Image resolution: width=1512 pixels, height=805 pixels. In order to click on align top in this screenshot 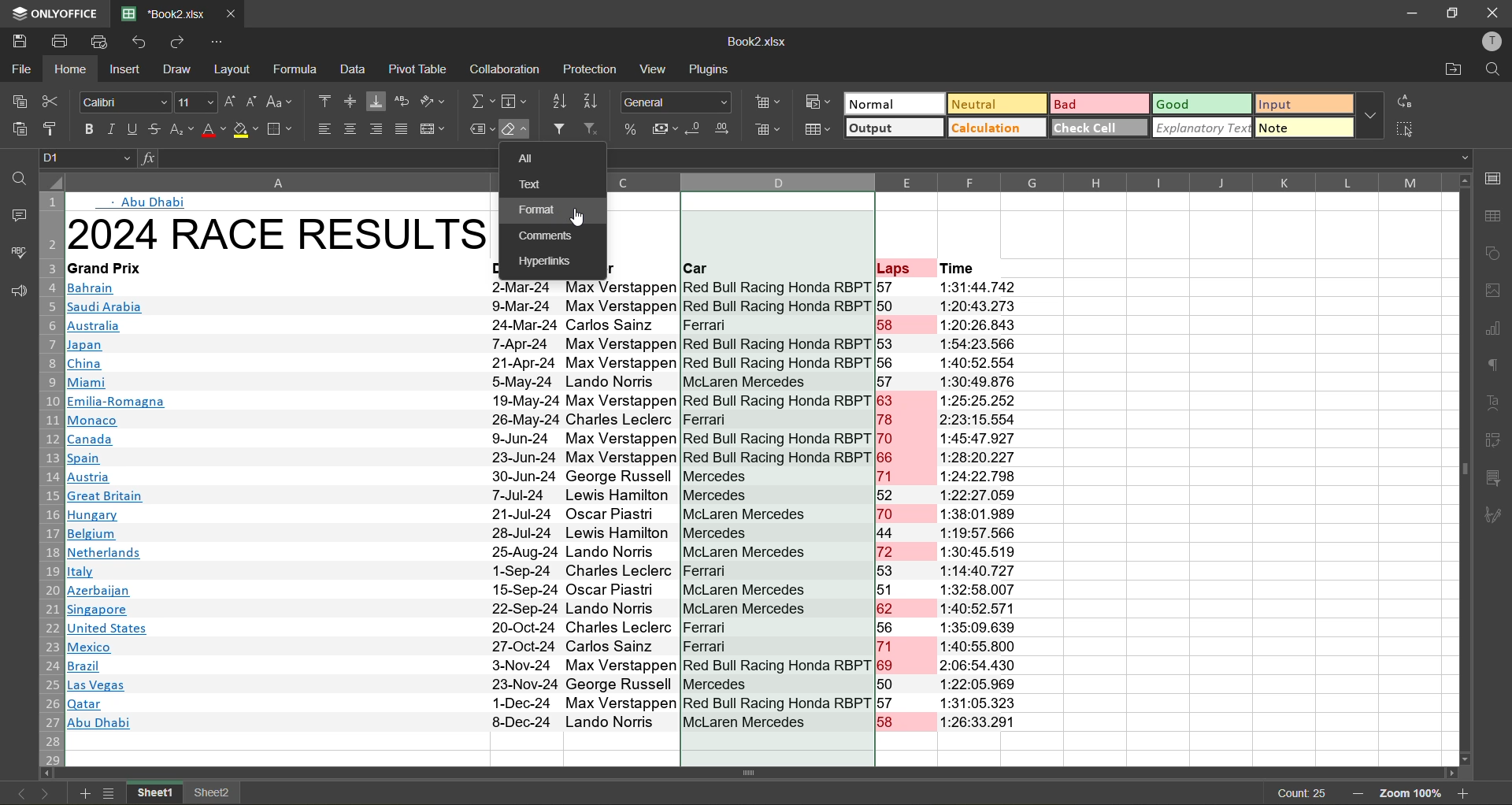, I will do `click(323, 101)`.